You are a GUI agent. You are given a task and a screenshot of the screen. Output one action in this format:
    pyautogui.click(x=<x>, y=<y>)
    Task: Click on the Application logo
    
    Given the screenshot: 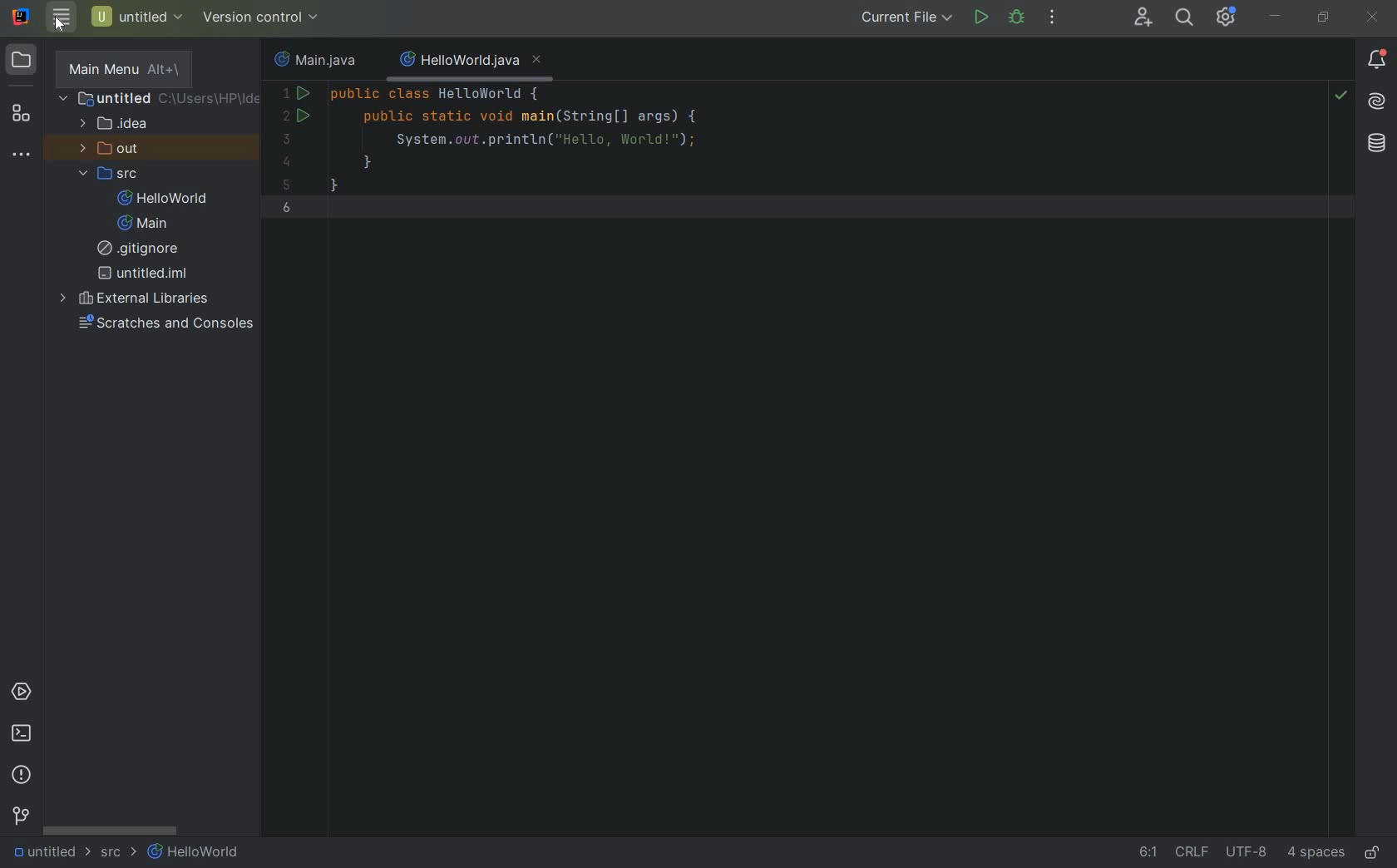 What is the action you would take?
    pyautogui.click(x=23, y=18)
    